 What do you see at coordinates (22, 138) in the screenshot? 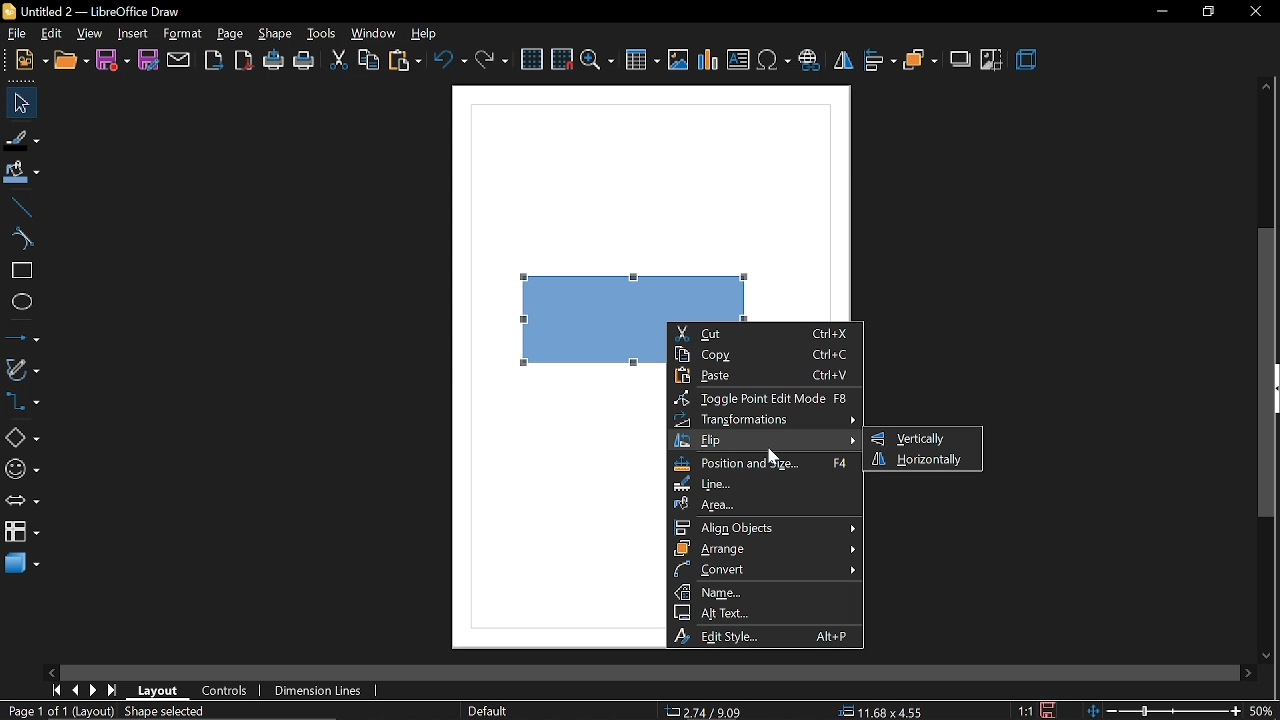
I see `fill line` at bounding box center [22, 138].